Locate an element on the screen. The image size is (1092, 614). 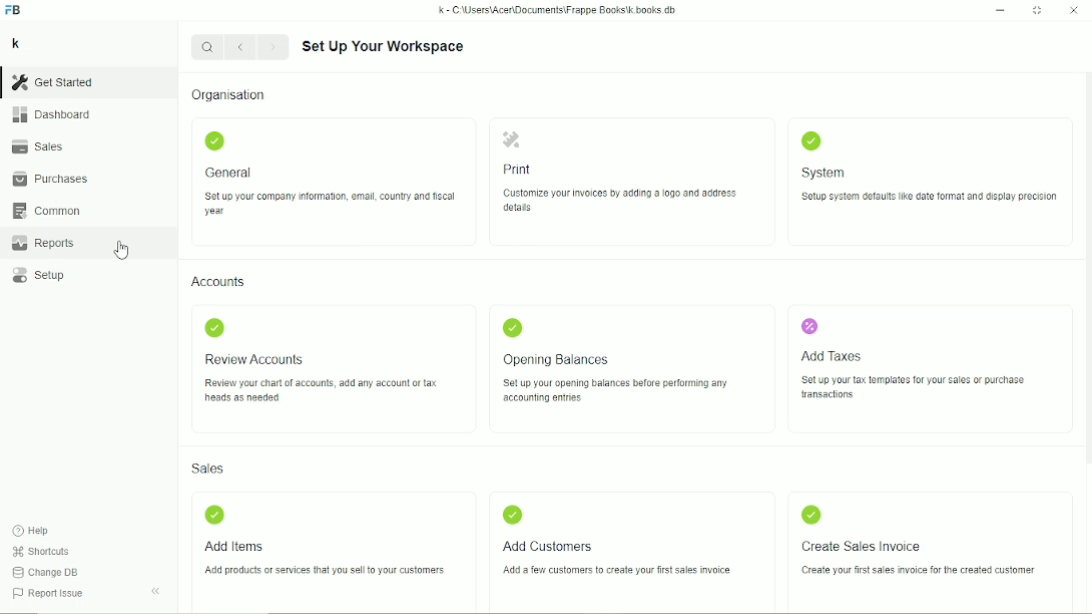
Purchases is located at coordinates (50, 178).